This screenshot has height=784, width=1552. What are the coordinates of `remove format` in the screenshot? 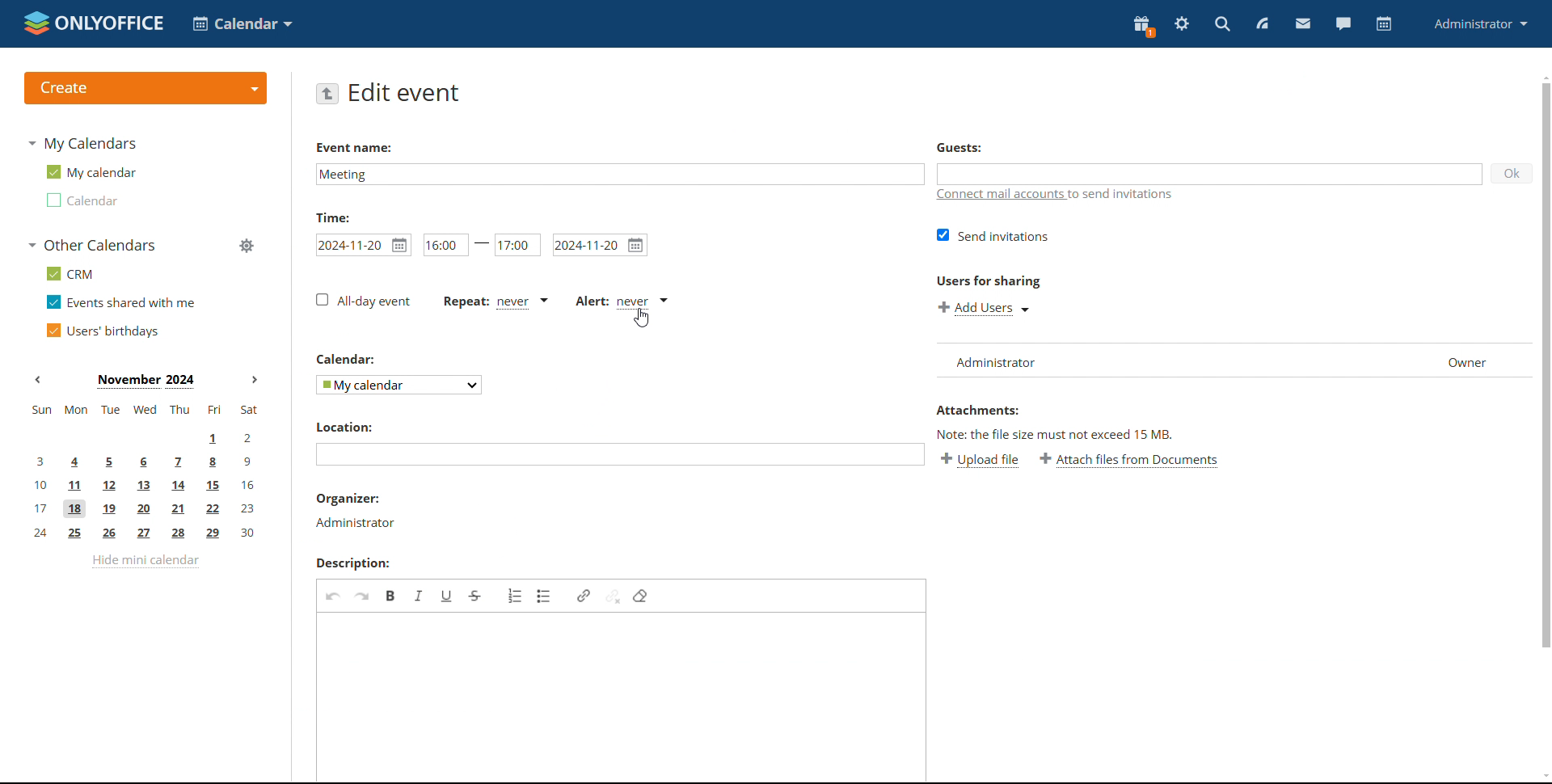 It's located at (640, 596).